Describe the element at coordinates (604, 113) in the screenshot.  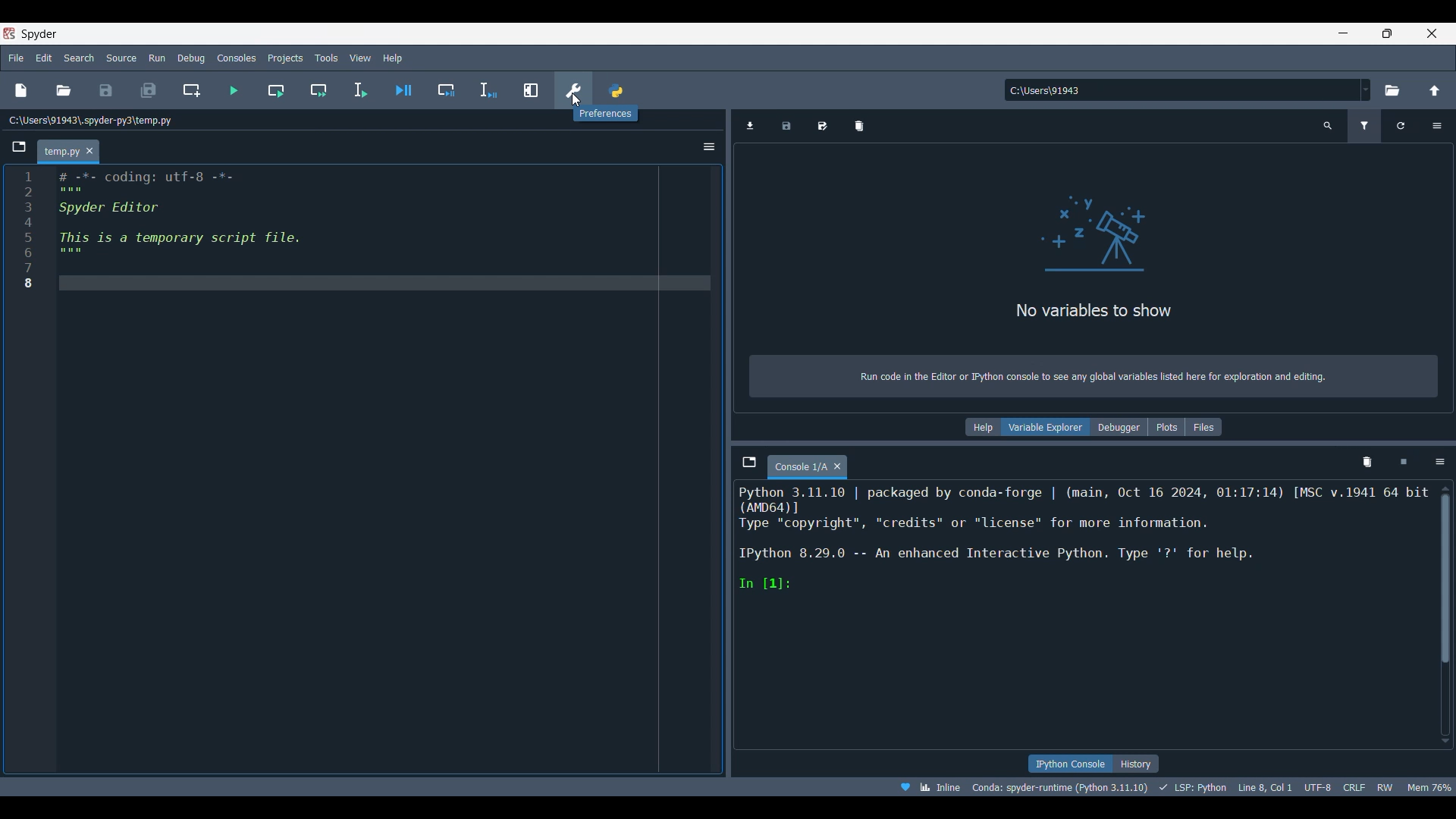
I see `Icon description` at that location.